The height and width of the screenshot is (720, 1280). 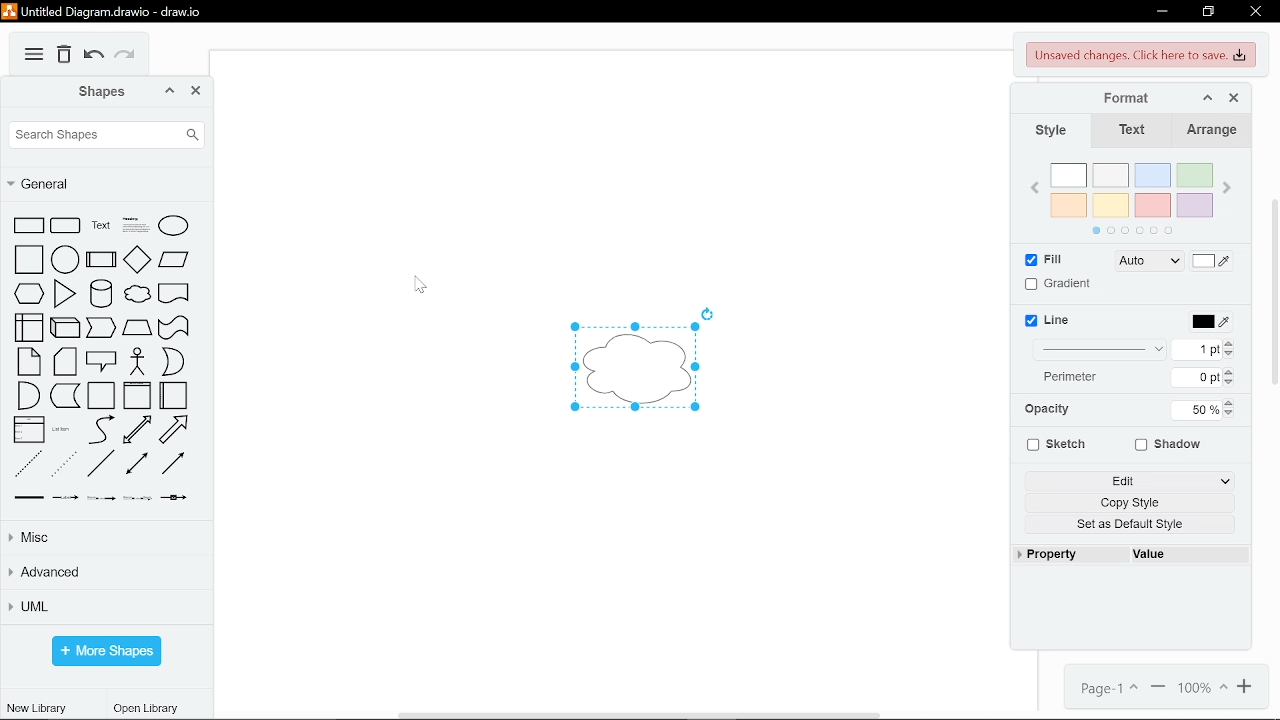 I want to click on arrow, so click(x=174, y=430).